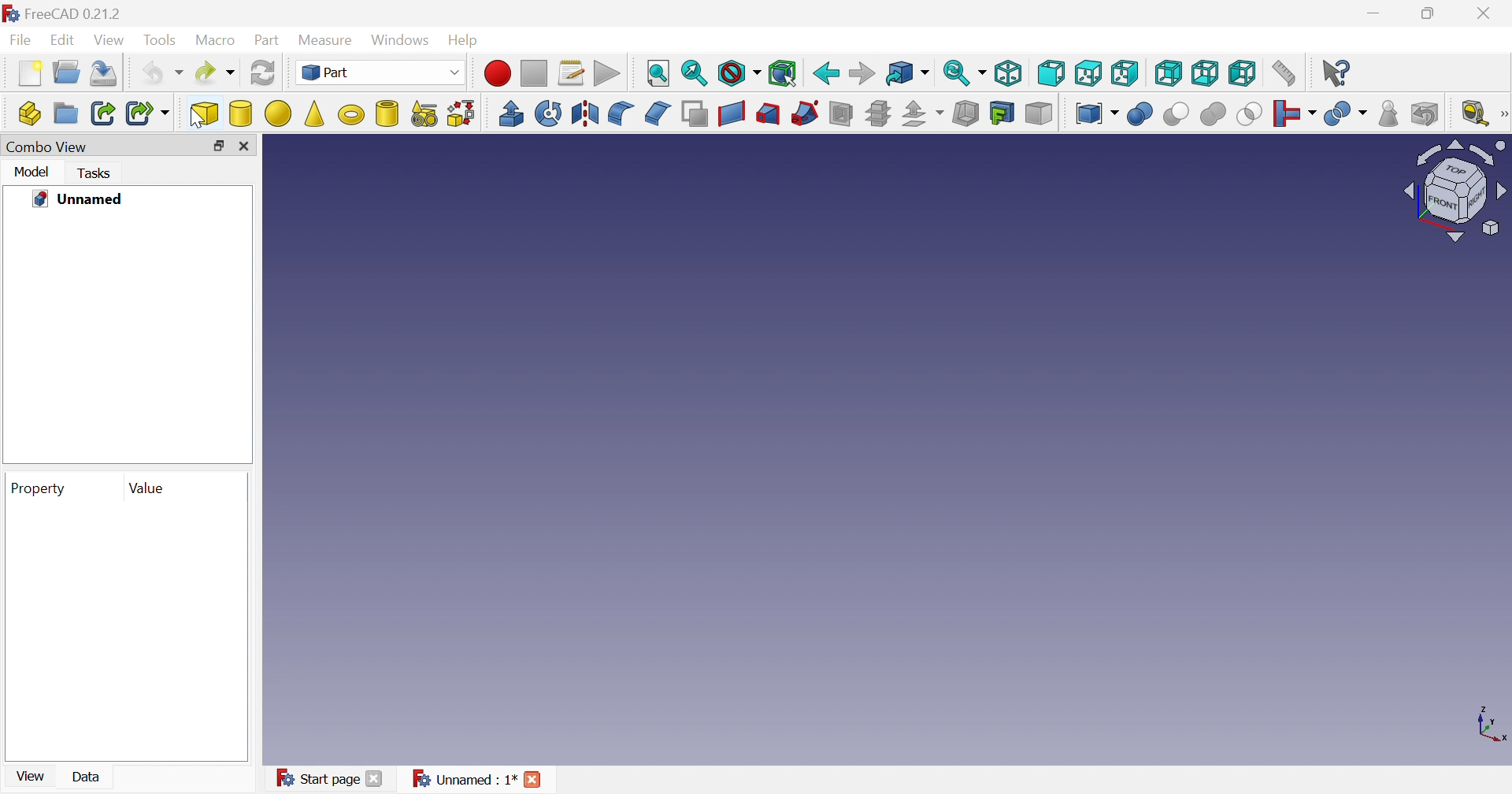 The width and height of the screenshot is (1512, 794). What do you see at coordinates (963, 74) in the screenshot?
I see `Sync view` at bounding box center [963, 74].